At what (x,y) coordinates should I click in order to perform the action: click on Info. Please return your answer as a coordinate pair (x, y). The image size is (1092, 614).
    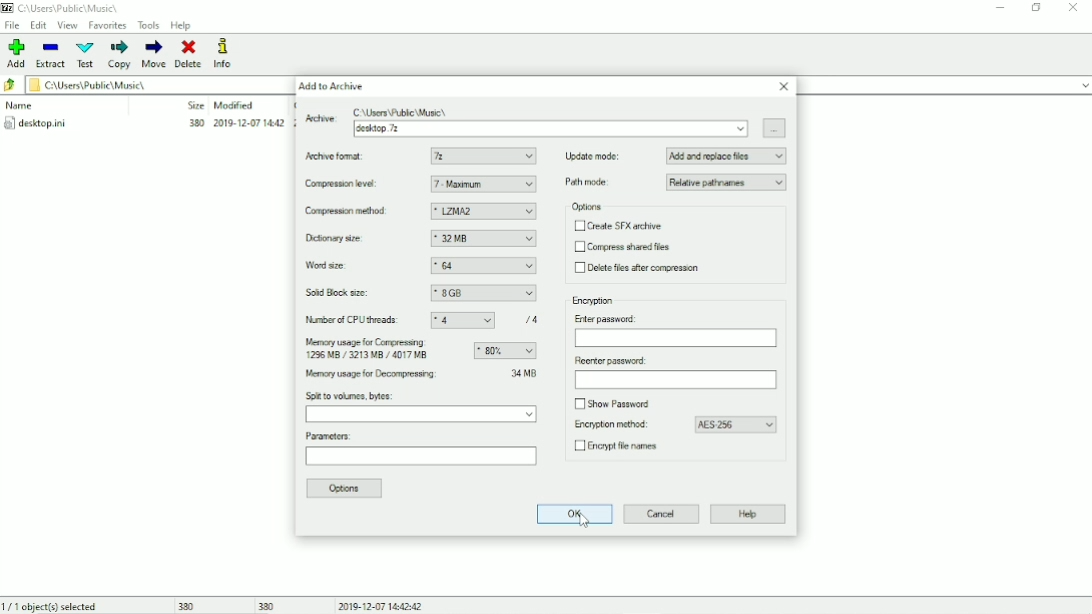
    Looking at the image, I should click on (223, 53).